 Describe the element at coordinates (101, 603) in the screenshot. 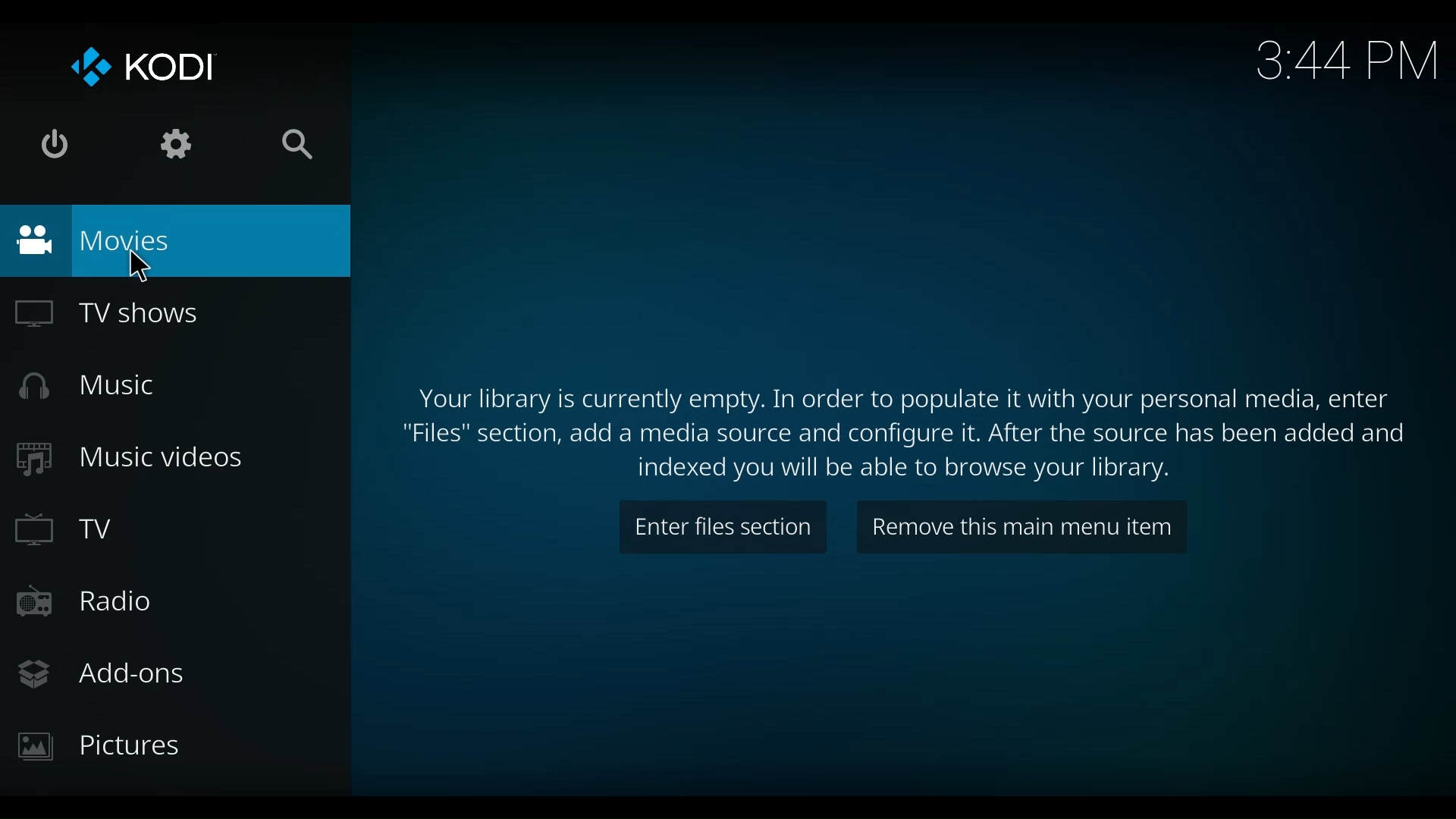

I see `Radio` at that location.